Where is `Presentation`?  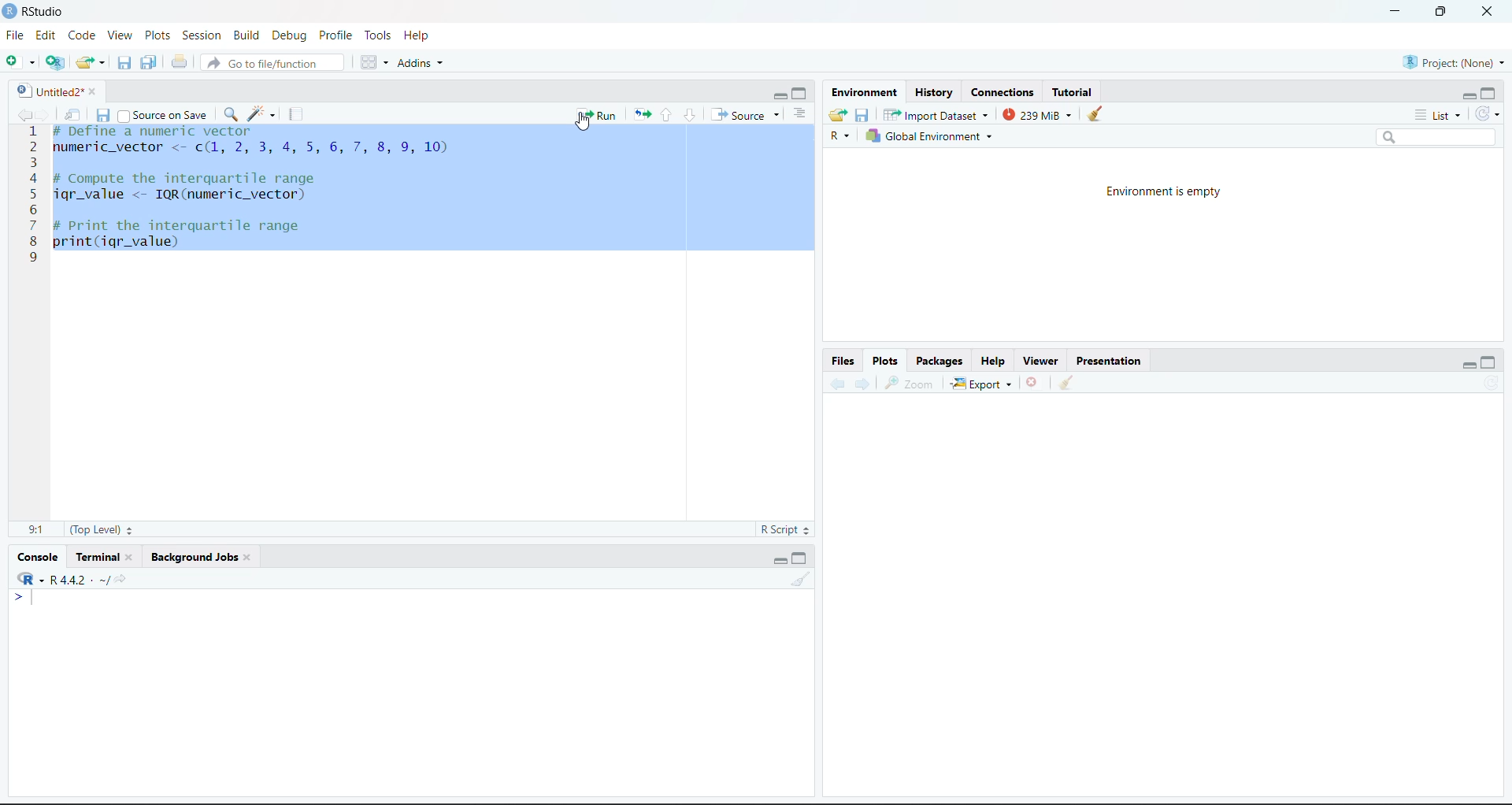
Presentation is located at coordinates (1110, 359).